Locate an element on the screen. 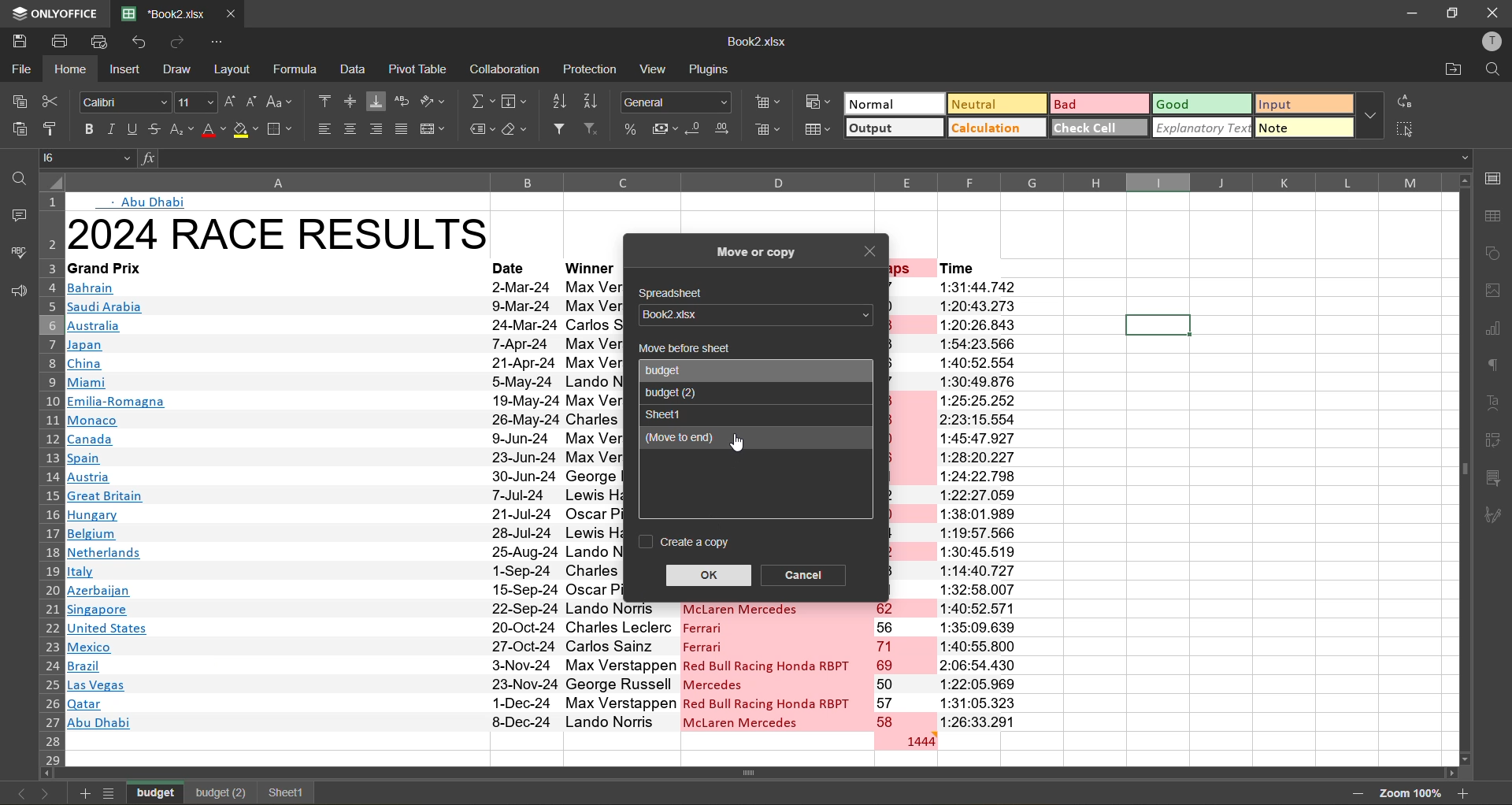 This screenshot has height=805, width=1512. filter is located at coordinates (563, 131).